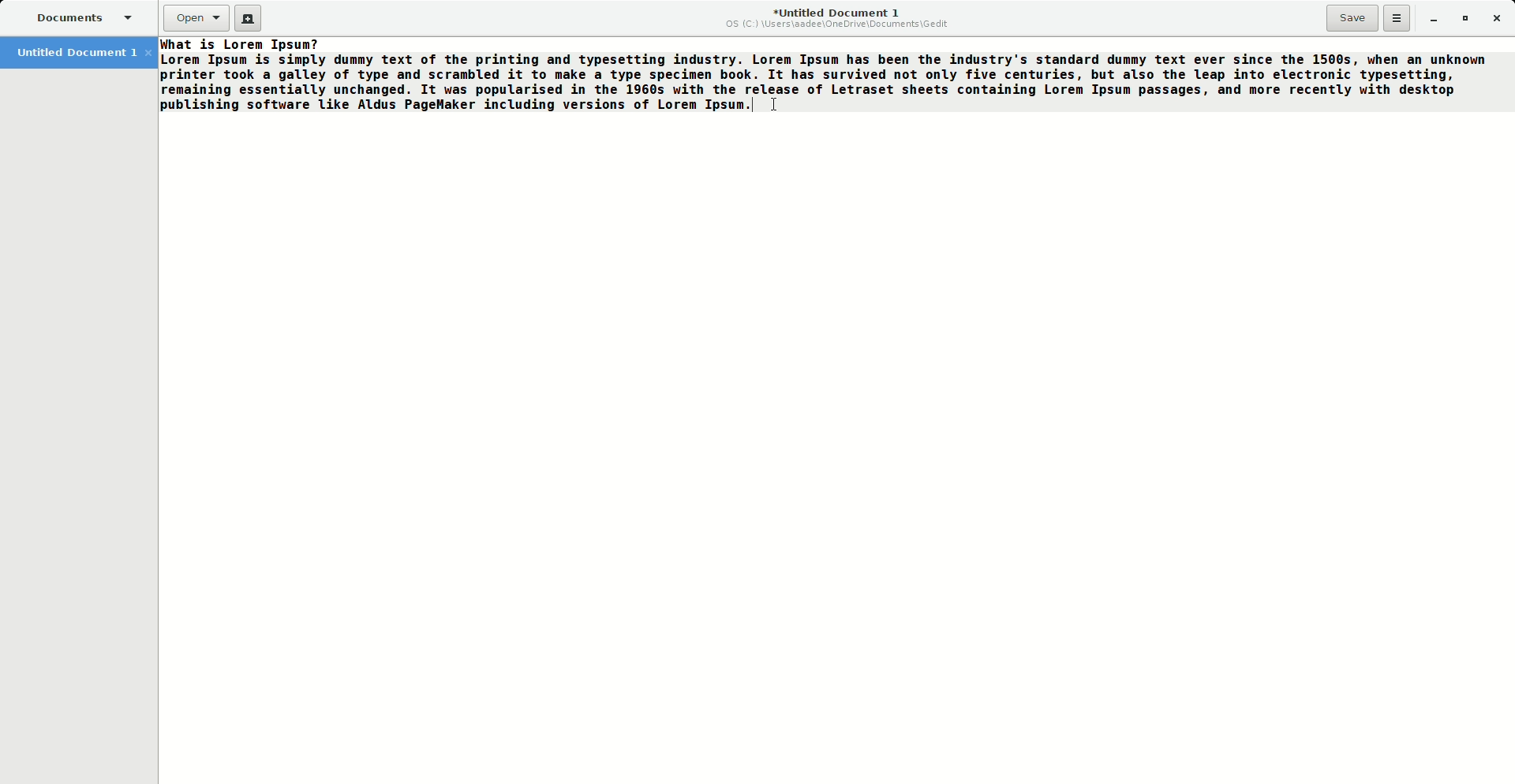 The height and width of the screenshot is (784, 1515). What do you see at coordinates (82, 17) in the screenshot?
I see `Documents` at bounding box center [82, 17].